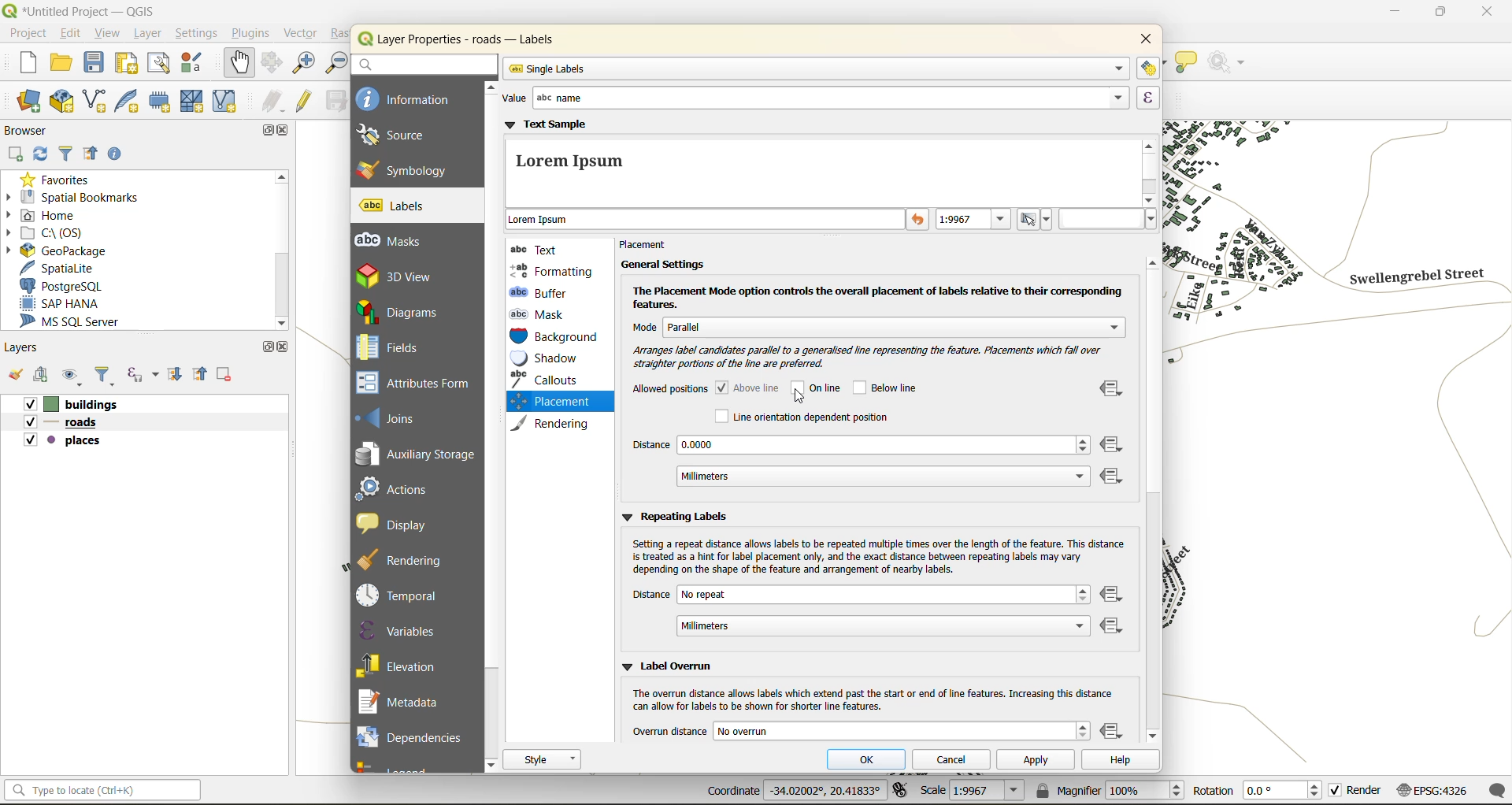 This screenshot has height=805, width=1512. What do you see at coordinates (877, 557) in the screenshot?
I see `Setting a repeat distance allows labels to be repeated multiple times over the length of the feature. This distance
is treated as a hint for label placement only, and the exact distance between repeating labels may vary
depending on the shape of the feature and arrangement of nearby labels.` at bounding box center [877, 557].